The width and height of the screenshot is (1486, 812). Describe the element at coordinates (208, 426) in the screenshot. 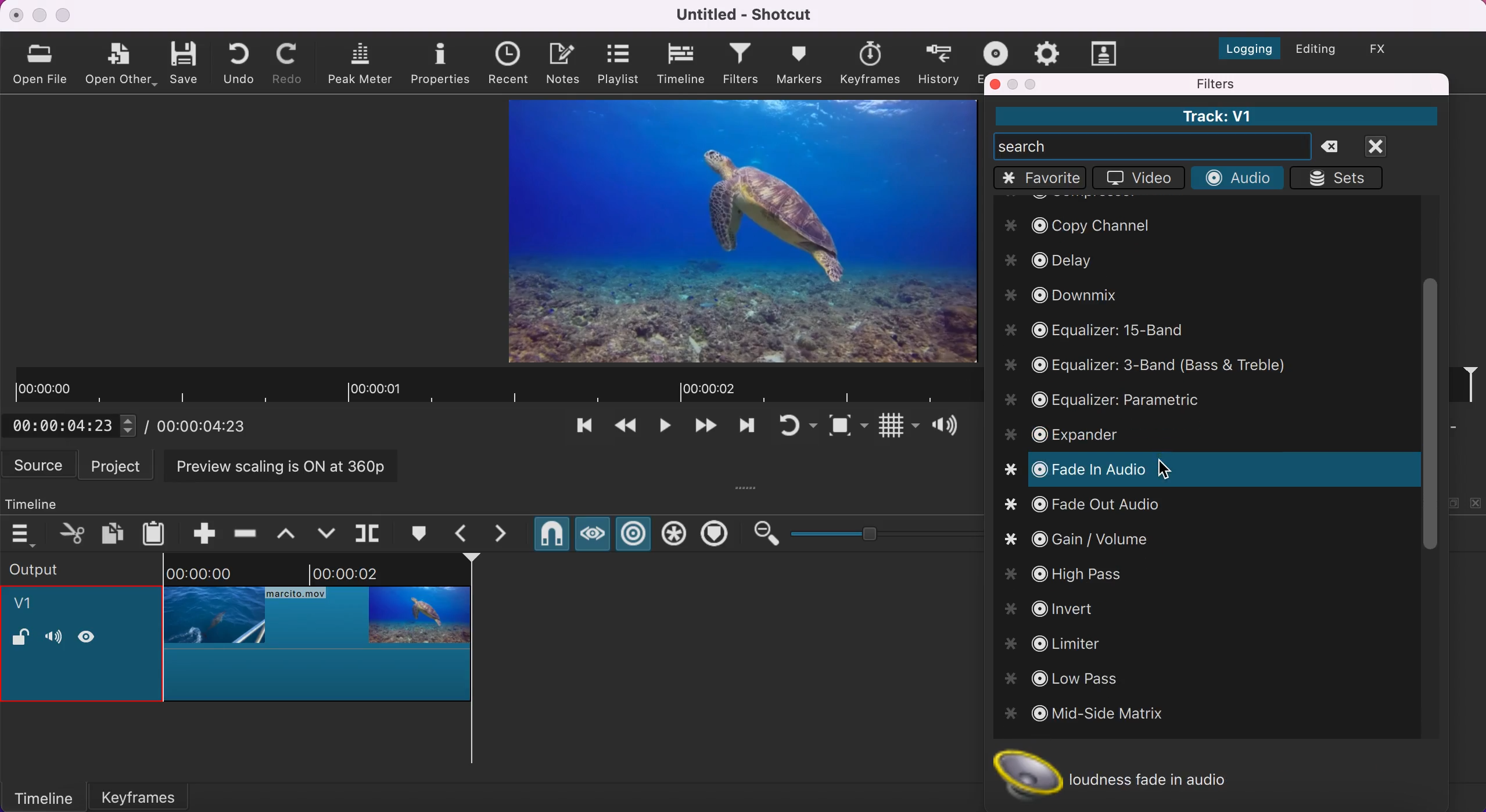

I see `total duration` at that location.